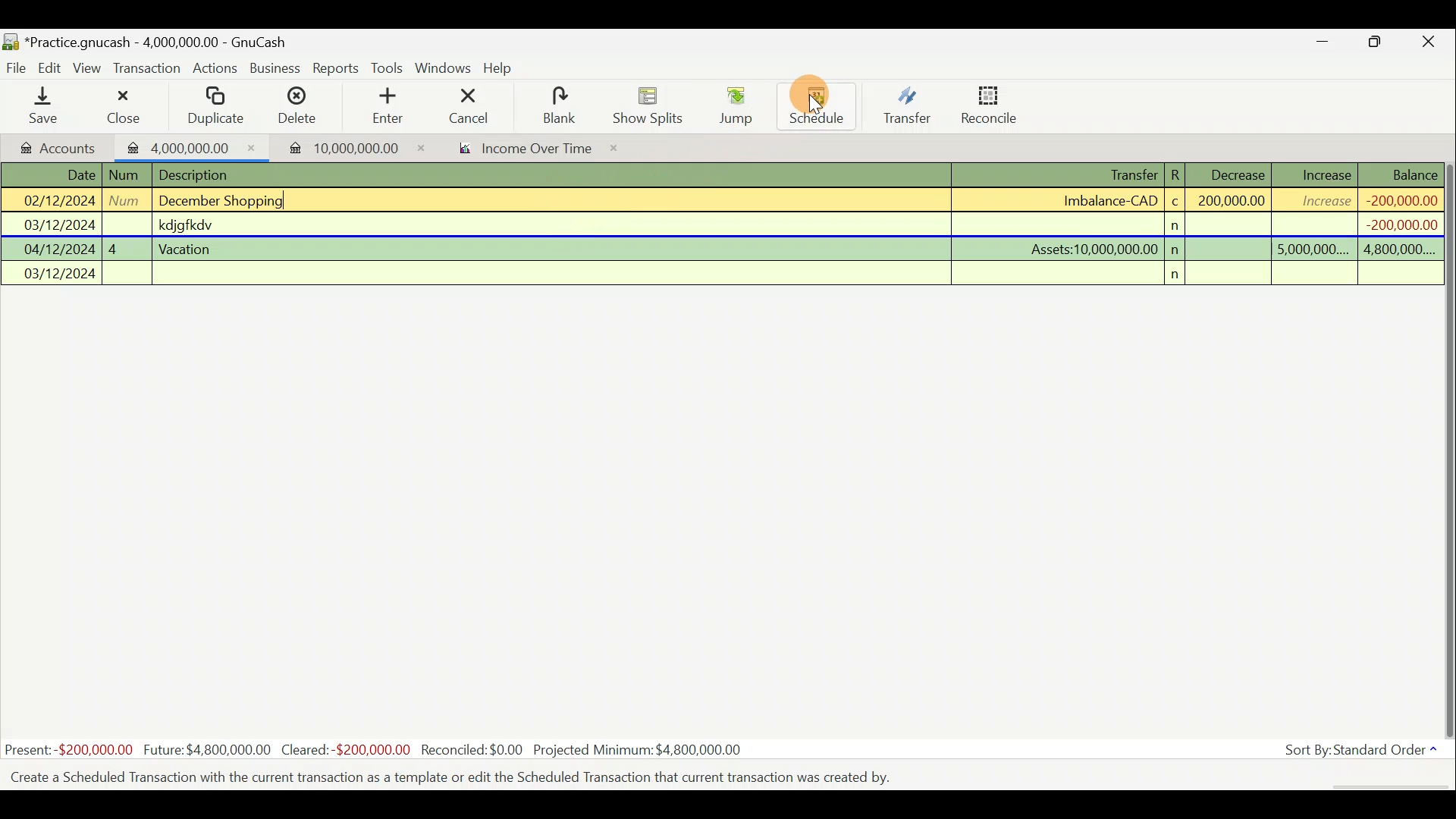  What do you see at coordinates (215, 71) in the screenshot?
I see `Actions` at bounding box center [215, 71].